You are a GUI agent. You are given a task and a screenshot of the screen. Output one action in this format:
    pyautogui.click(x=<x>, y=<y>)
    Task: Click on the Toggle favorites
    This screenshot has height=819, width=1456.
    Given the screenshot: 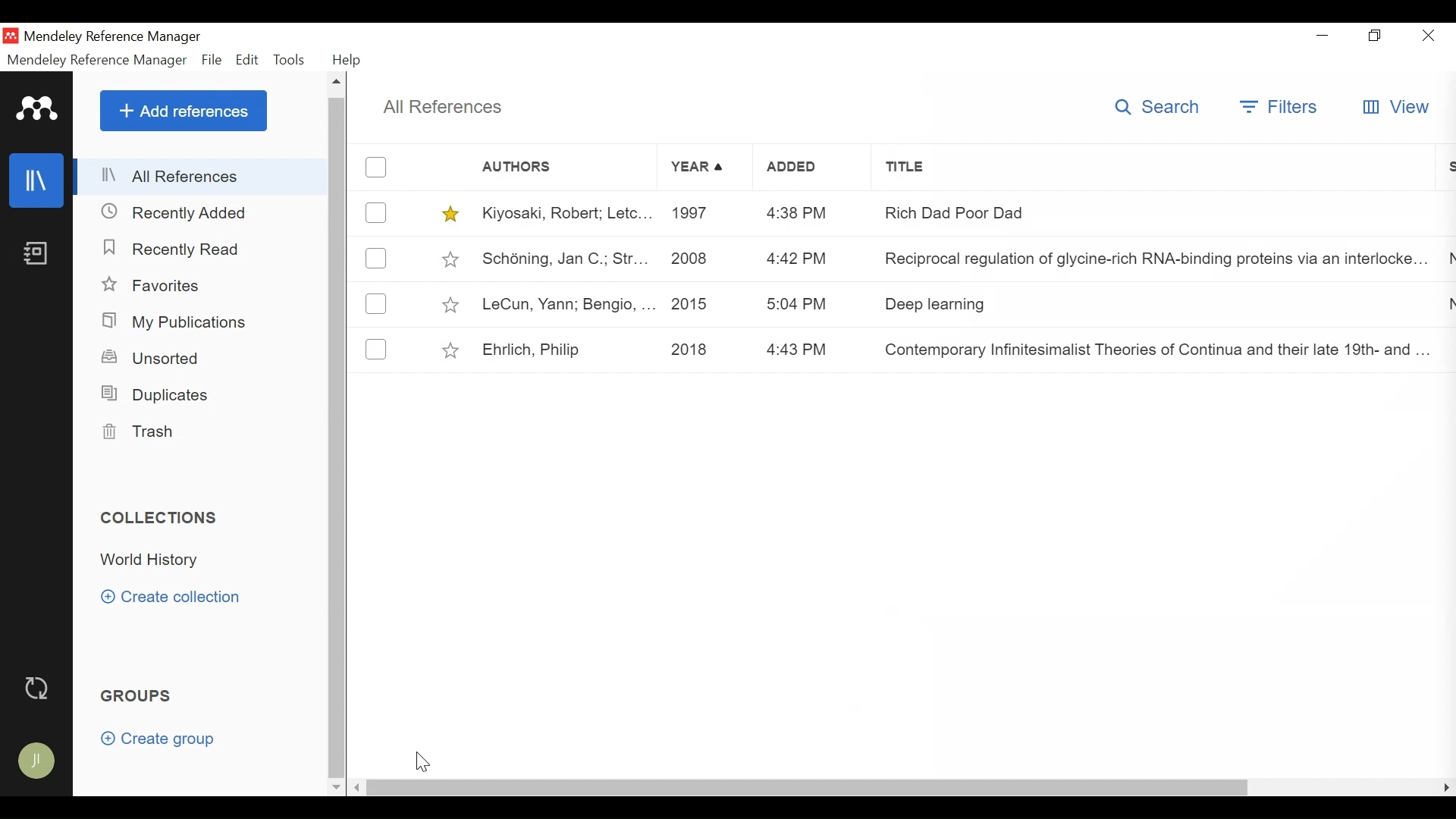 What is the action you would take?
    pyautogui.click(x=452, y=349)
    